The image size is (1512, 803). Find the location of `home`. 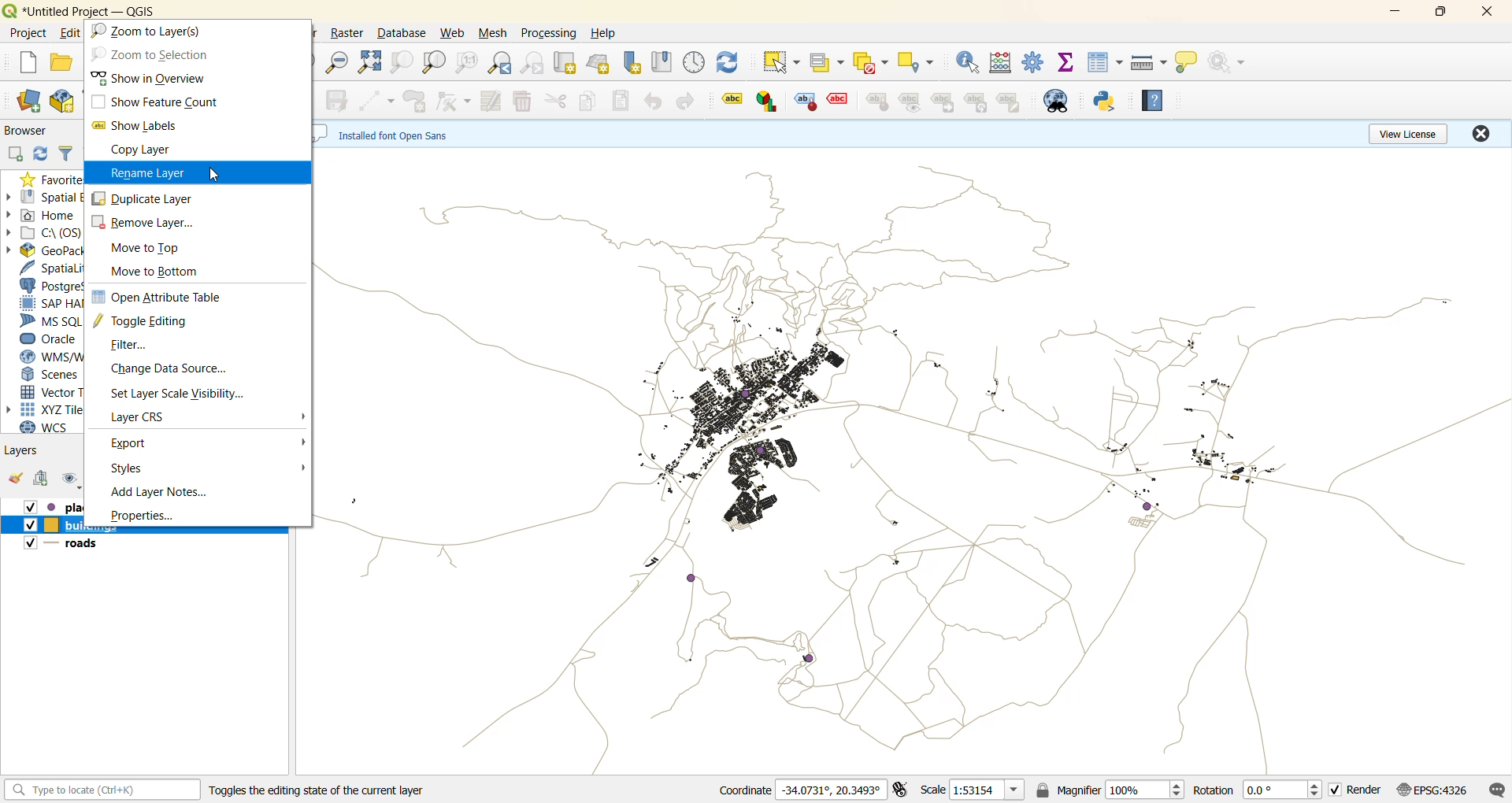

home is located at coordinates (43, 216).